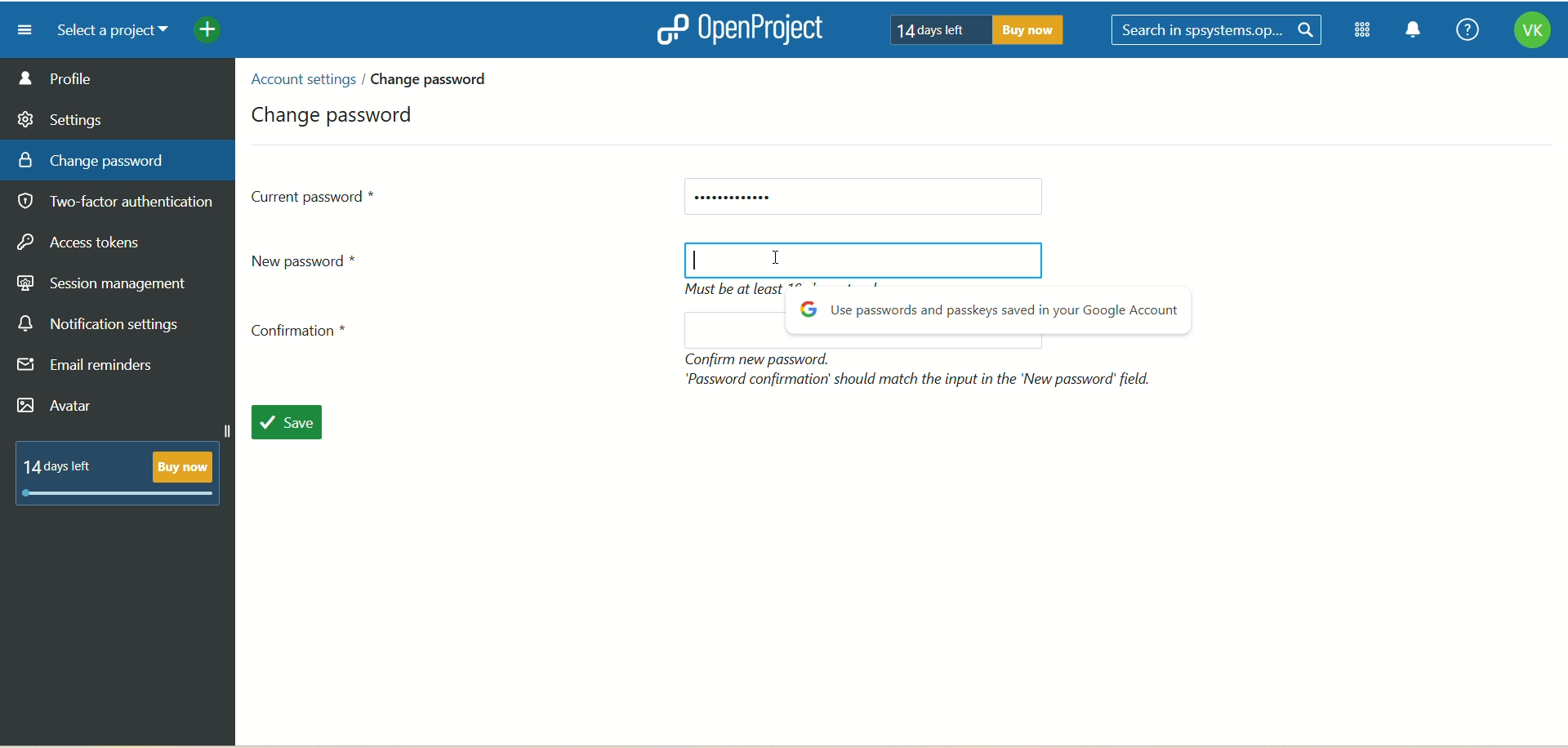 Image resolution: width=1568 pixels, height=748 pixels. I want to click on current password, so click(315, 195).